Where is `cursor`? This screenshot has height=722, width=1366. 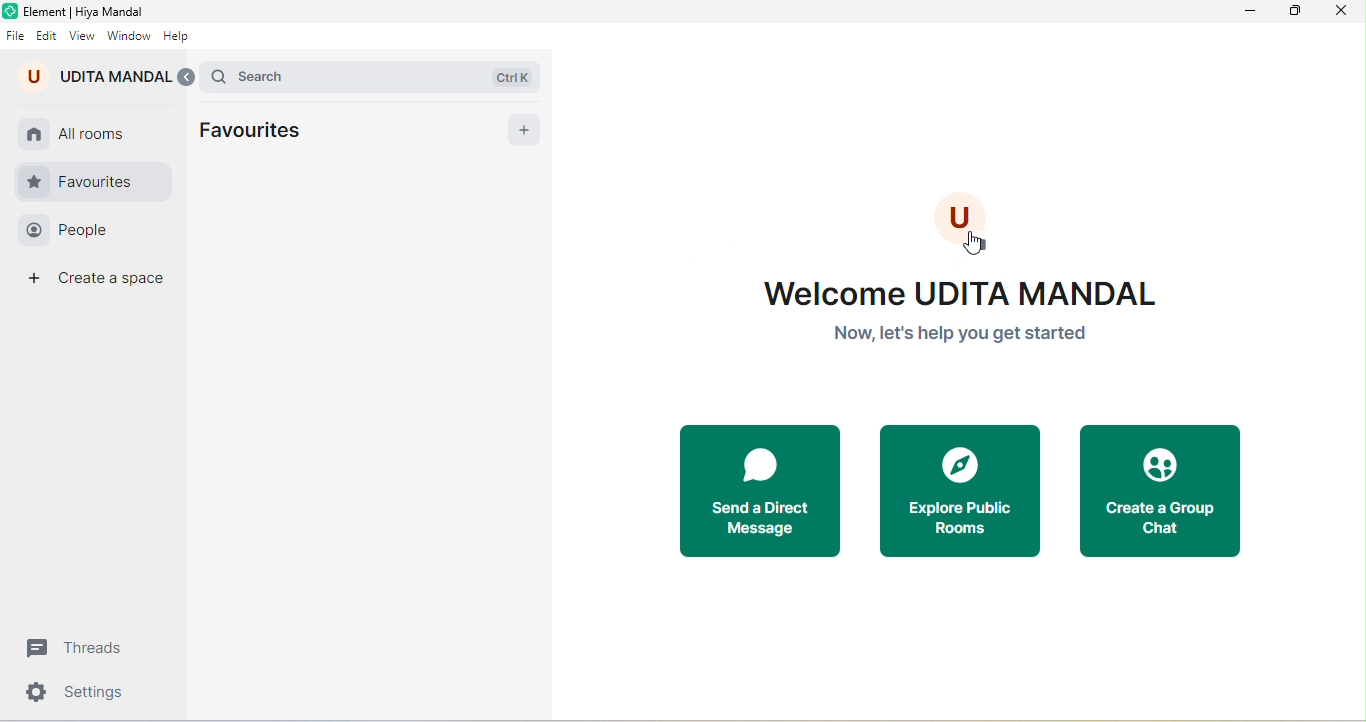
cursor is located at coordinates (974, 244).